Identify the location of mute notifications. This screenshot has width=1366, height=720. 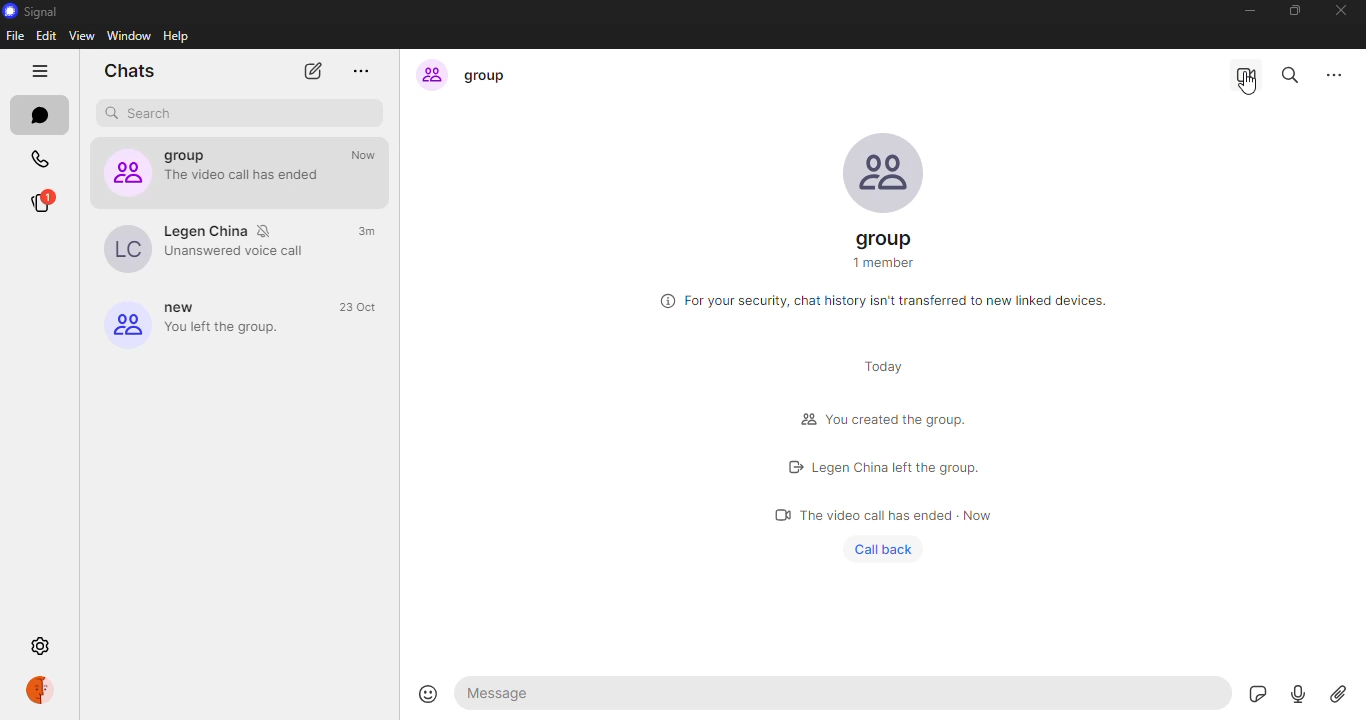
(273, 230).